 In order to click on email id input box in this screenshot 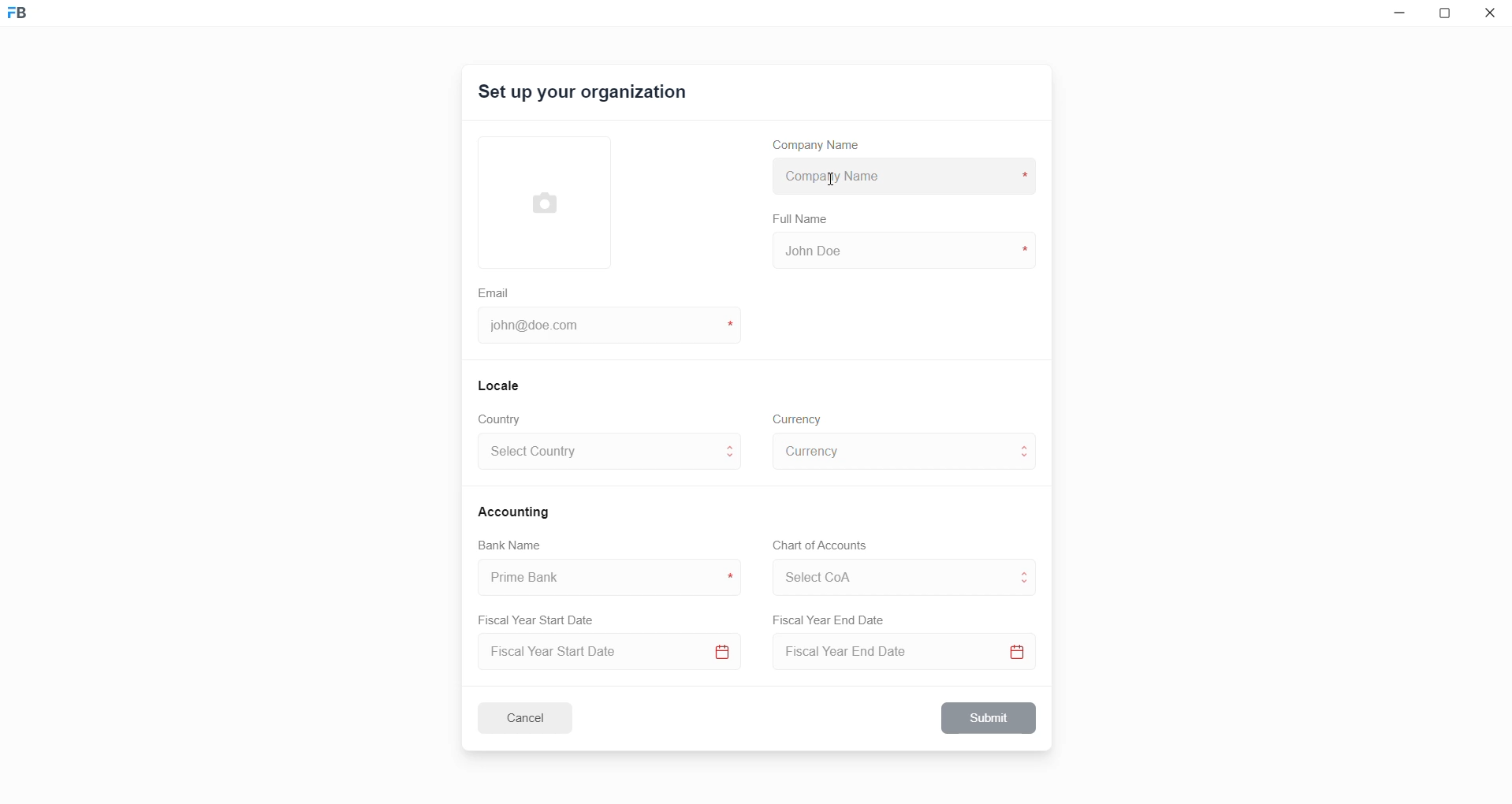, I will do `click(601, 327)`.